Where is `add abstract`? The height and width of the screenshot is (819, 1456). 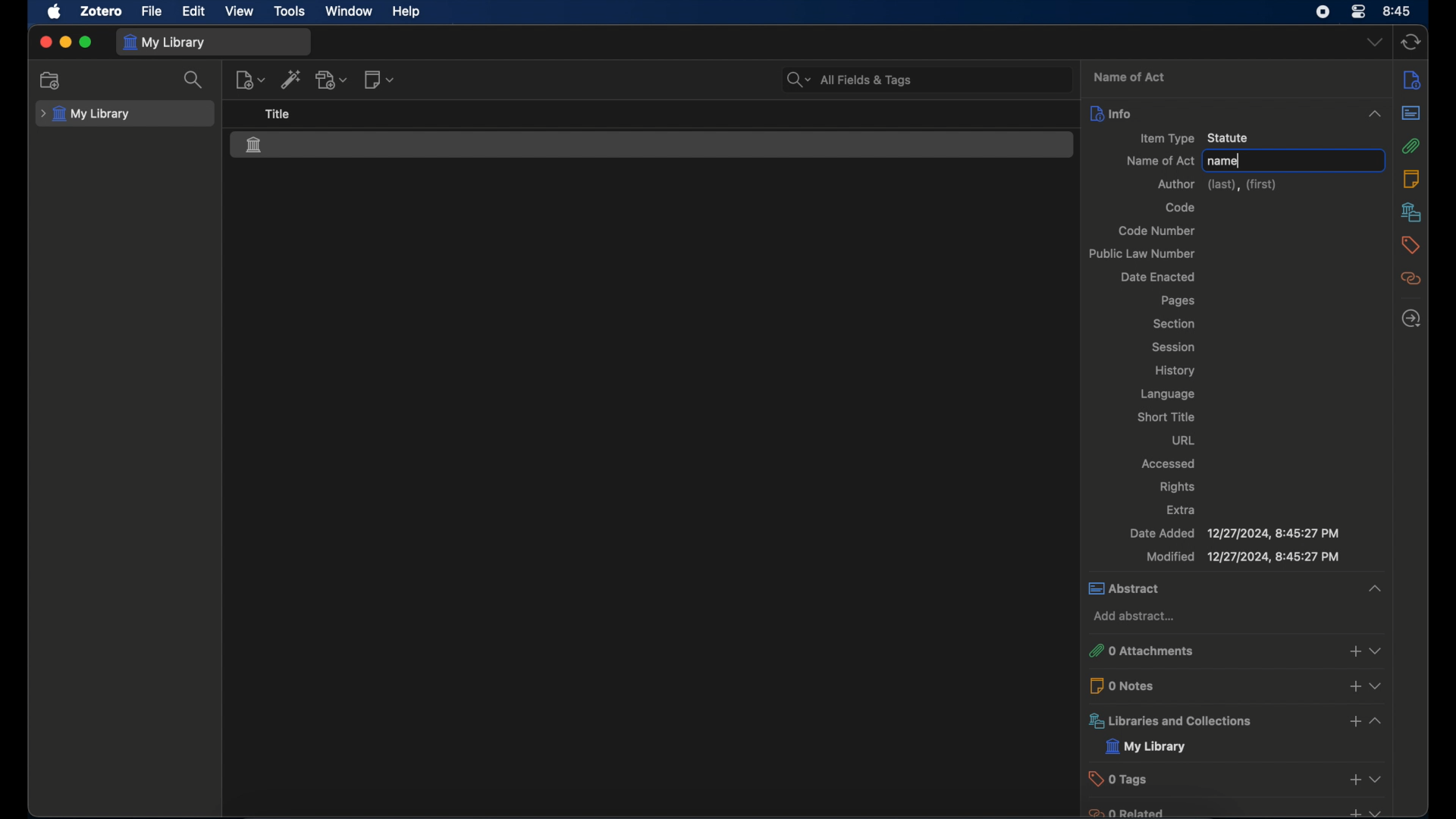
add abstract is located at coordinates (1137, 617).